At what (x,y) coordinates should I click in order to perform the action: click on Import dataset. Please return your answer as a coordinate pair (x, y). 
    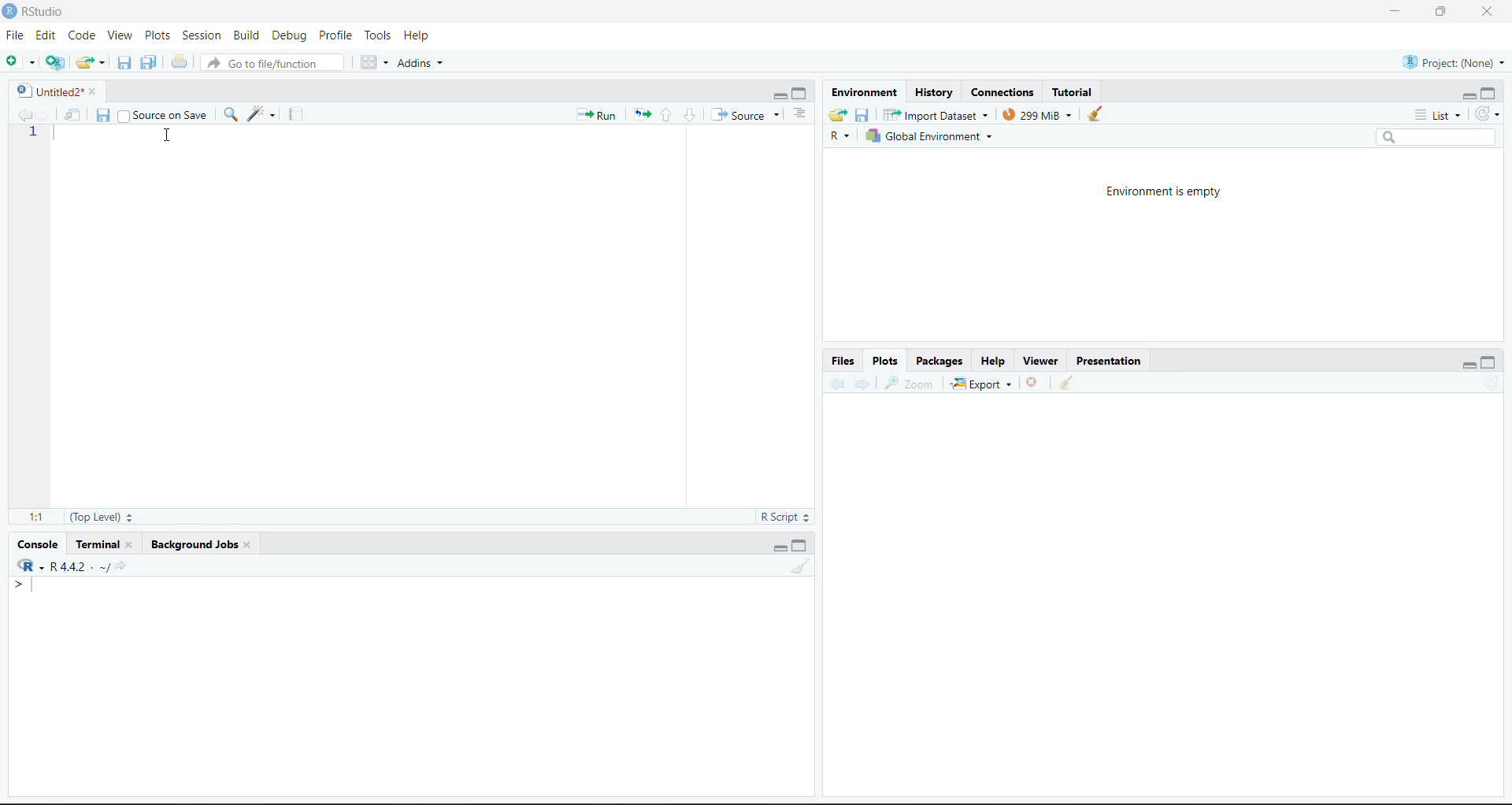
    Looking at the image, I should click on (937, 114).